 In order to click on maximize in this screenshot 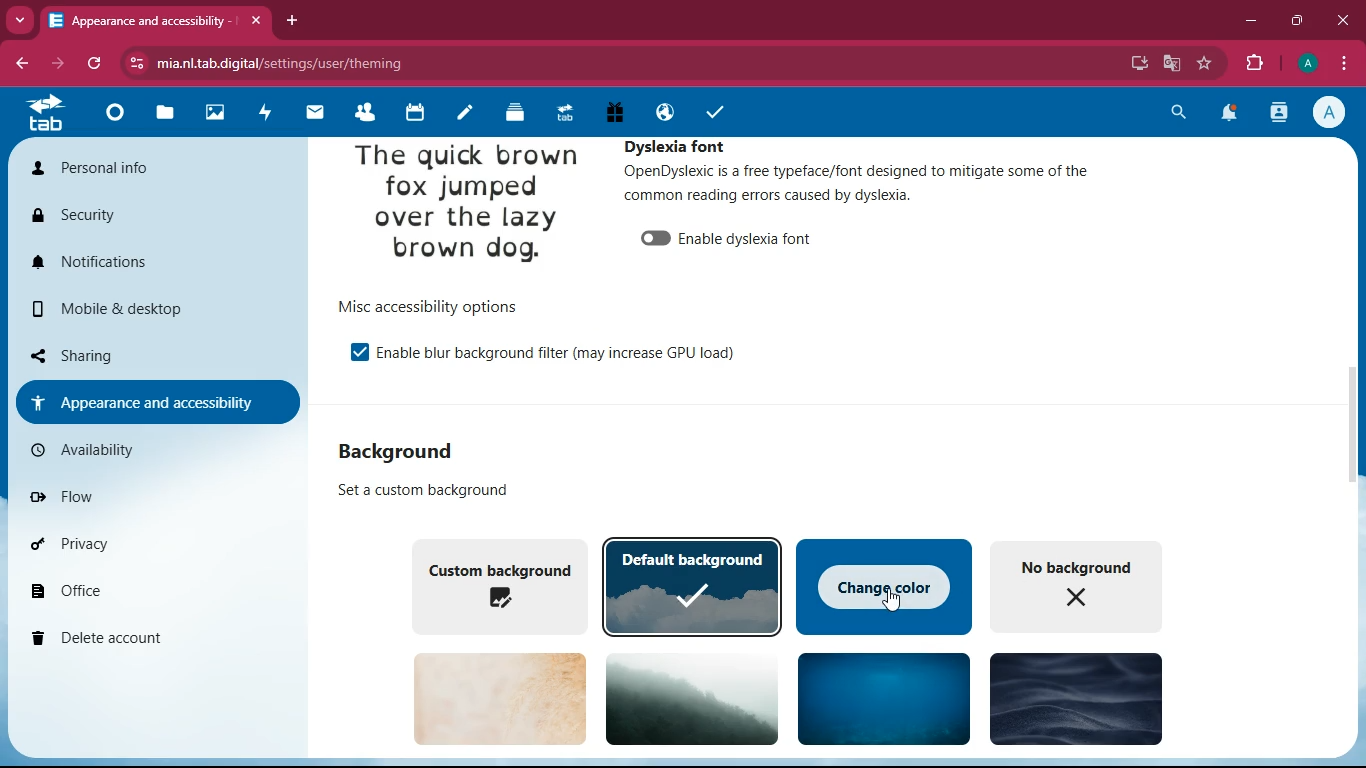, I will do `click(1299, 21)`.